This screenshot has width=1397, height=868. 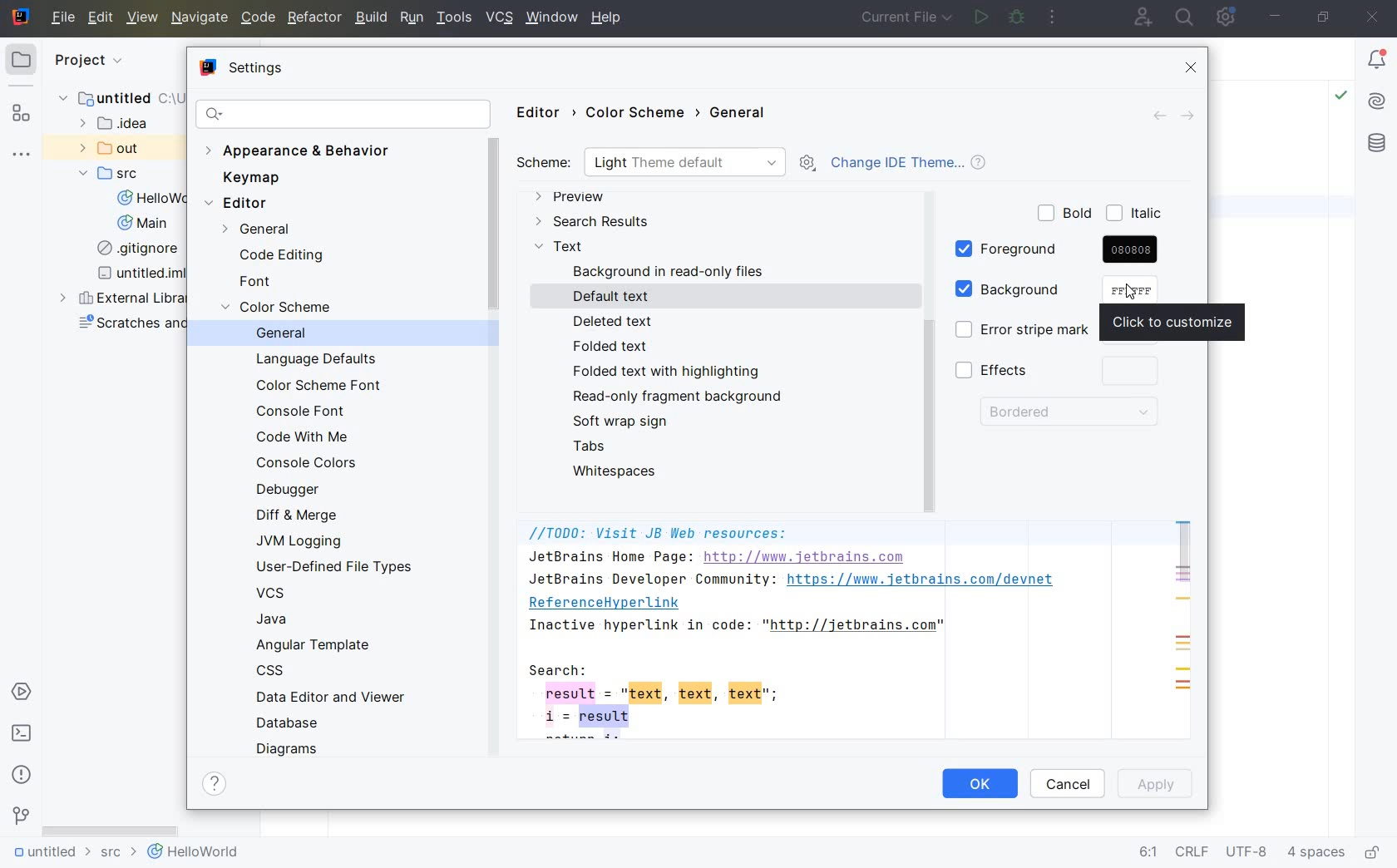 I want to click on BORDERED, so click(x=1067, y=415).